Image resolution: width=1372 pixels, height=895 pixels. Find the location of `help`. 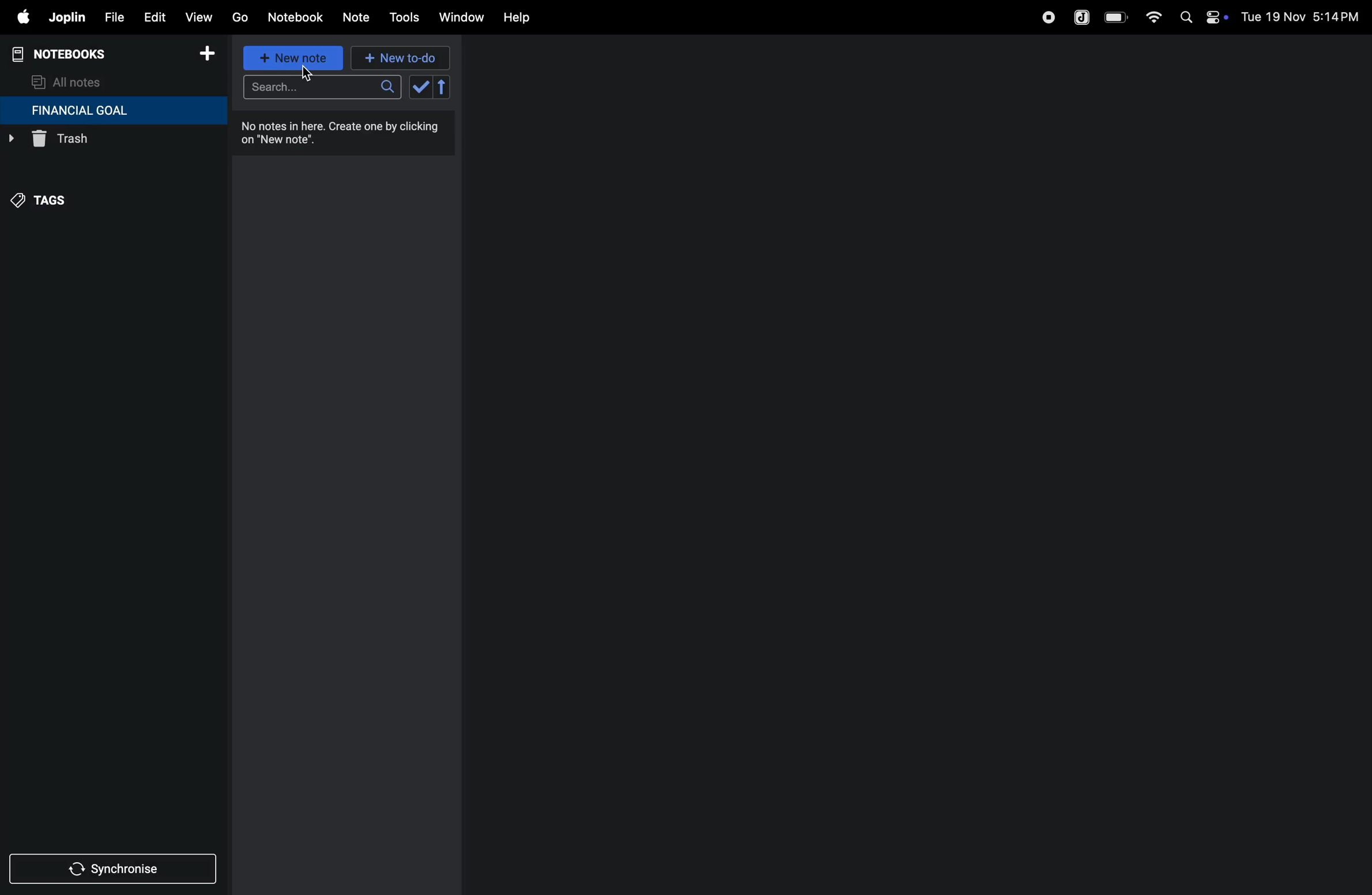

help is located at coordinates (525, 18).